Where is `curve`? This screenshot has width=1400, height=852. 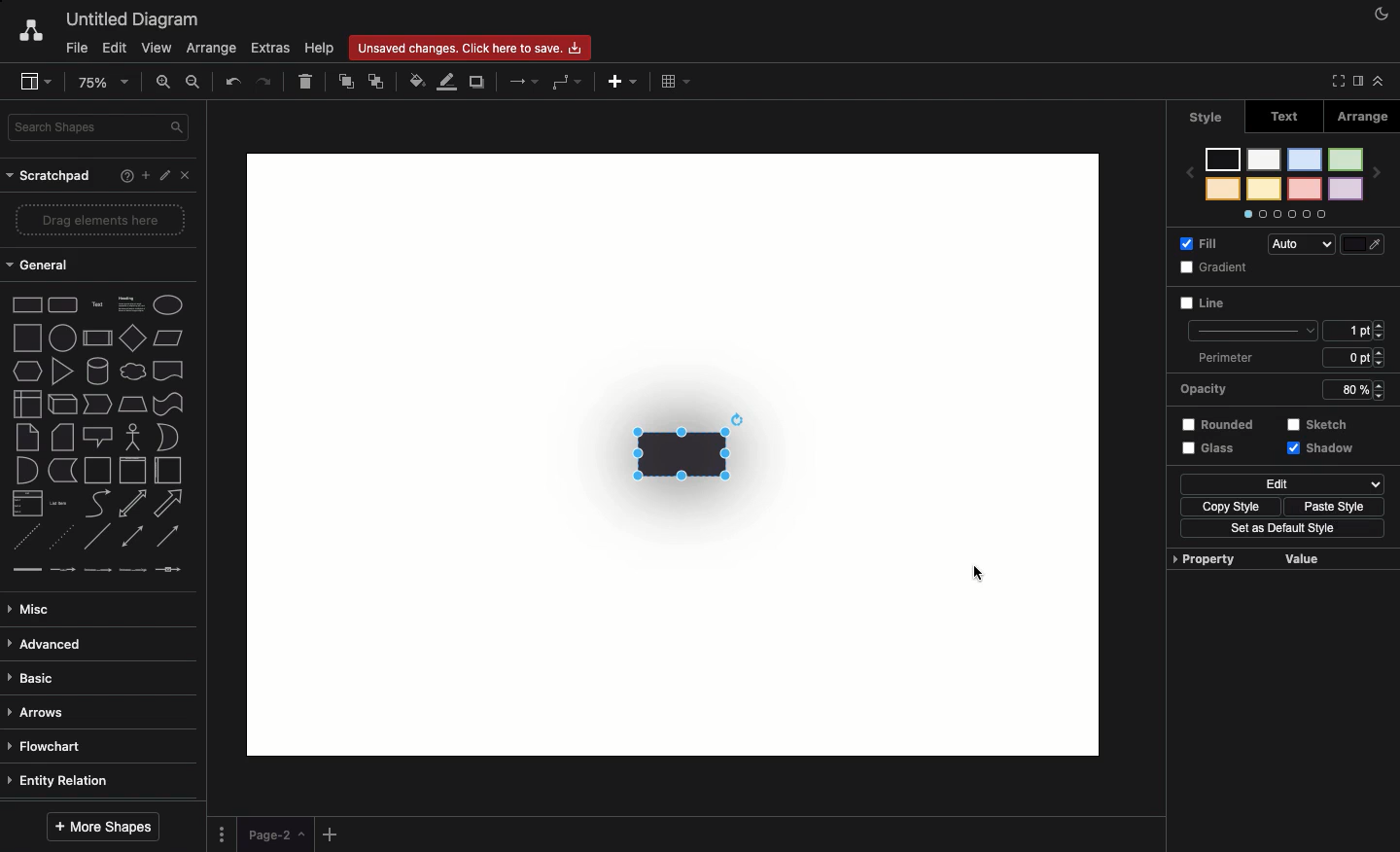
curve is located at coordinates (98, 505).